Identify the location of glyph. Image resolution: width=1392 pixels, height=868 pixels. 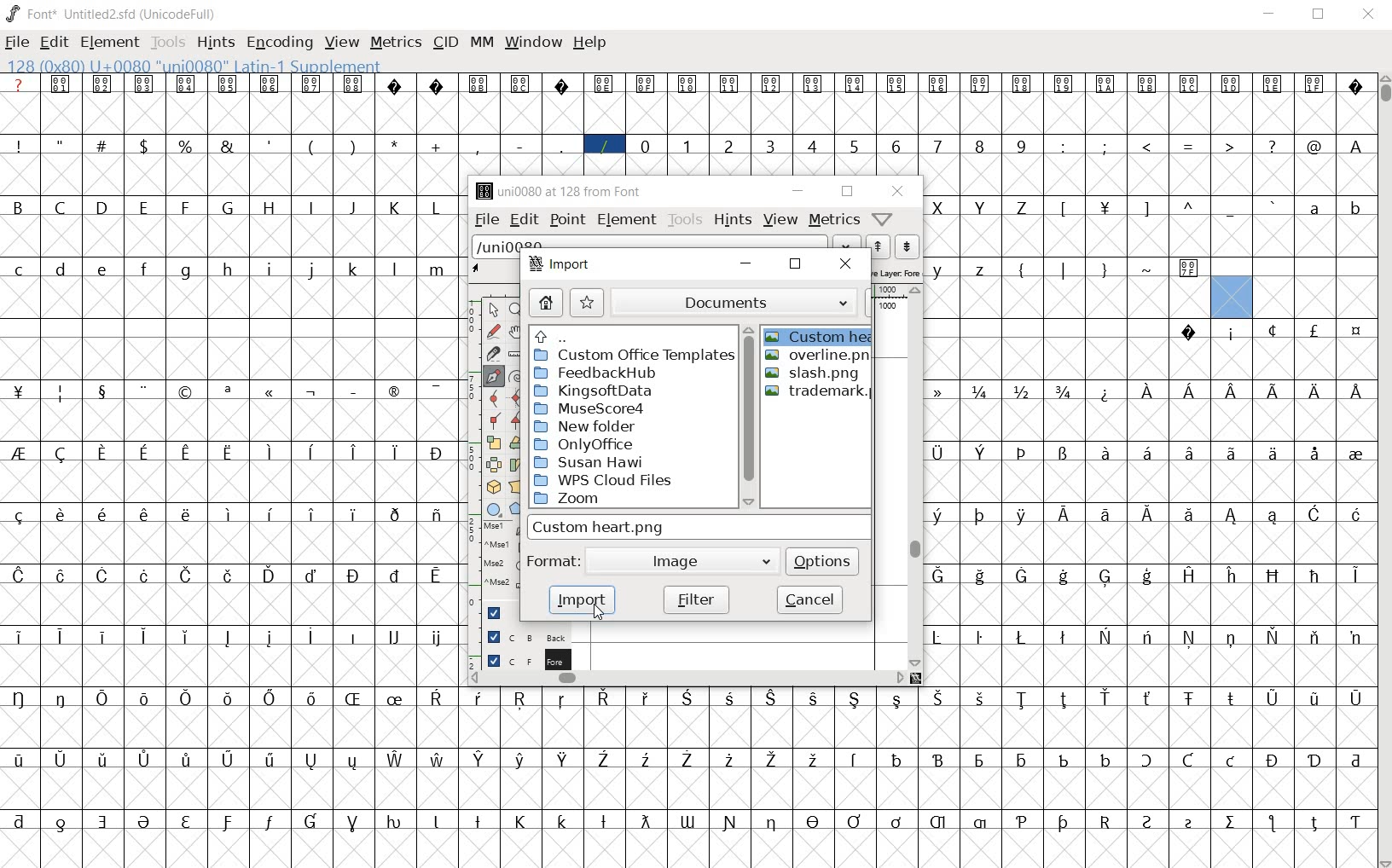
(1064, 823).